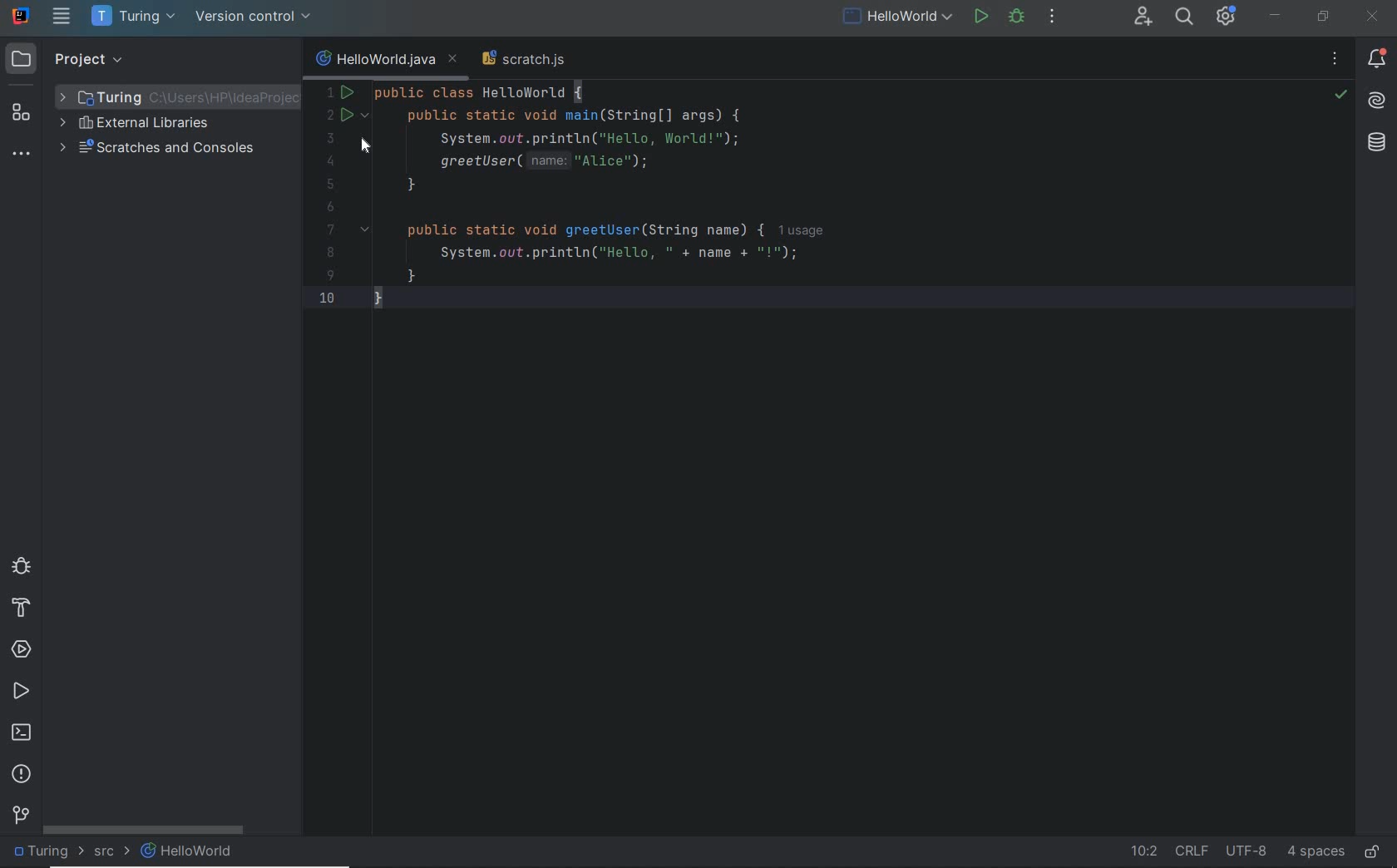 The height and width of the screenshot is (868, 1397). Describe the element at coordinates (1370, 853) in the screenshot. I see `make file ready only` at that location.